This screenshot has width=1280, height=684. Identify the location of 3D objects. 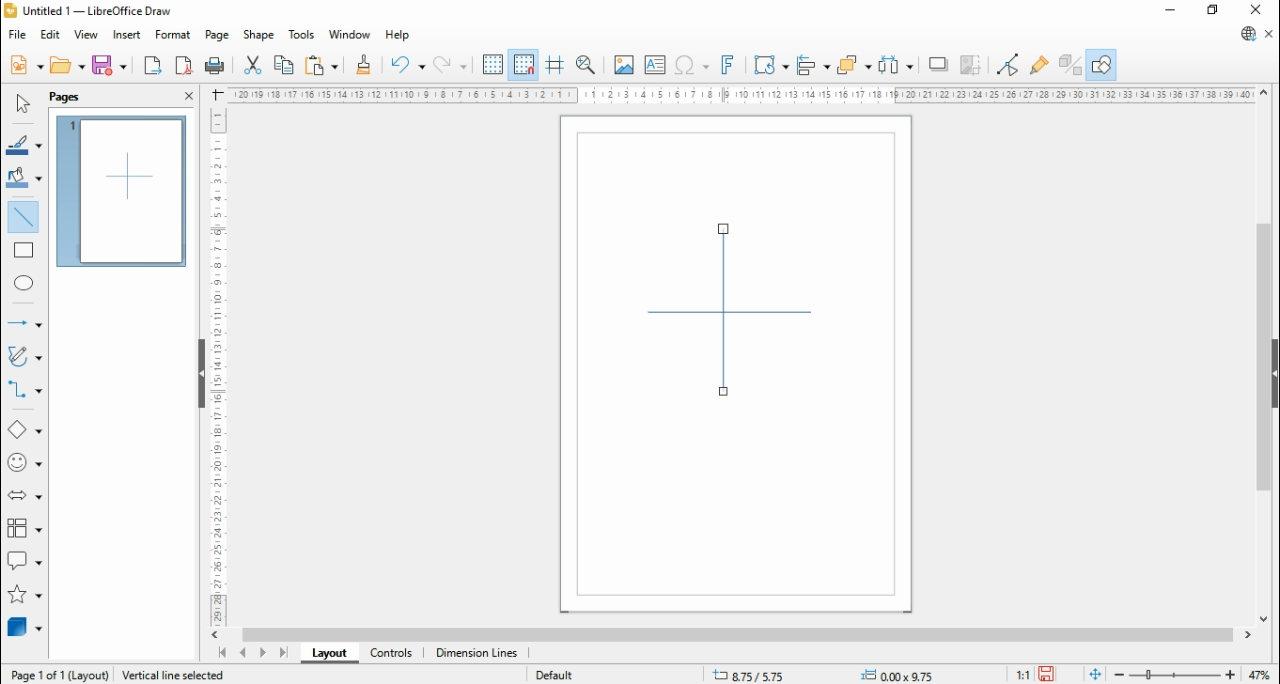
(25, 627).